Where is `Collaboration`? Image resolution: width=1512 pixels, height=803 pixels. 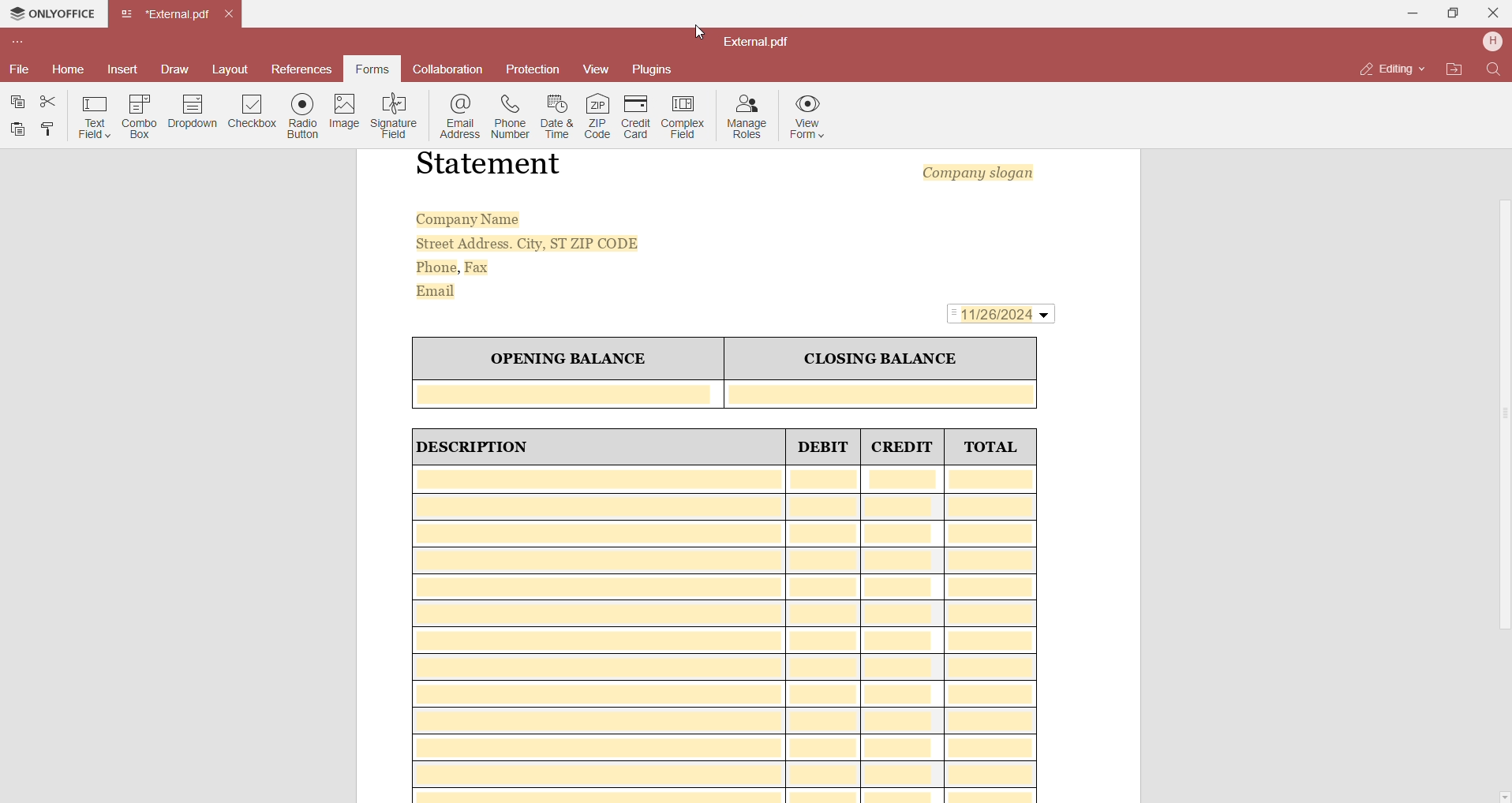 Collaboration is located at coordinates (452, 69).